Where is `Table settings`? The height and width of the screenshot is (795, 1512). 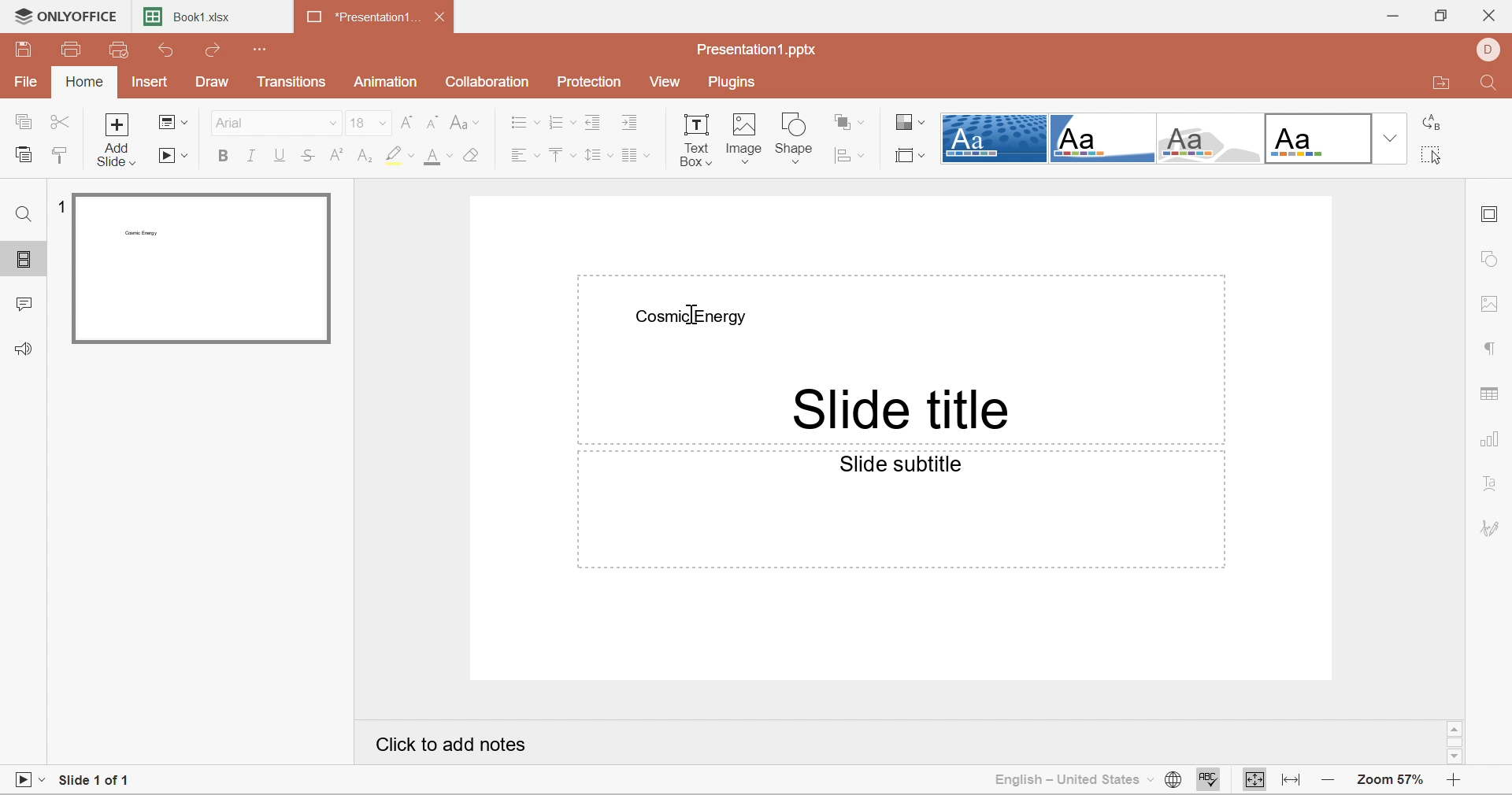
Table settings is located at coordinates (1492, 394).